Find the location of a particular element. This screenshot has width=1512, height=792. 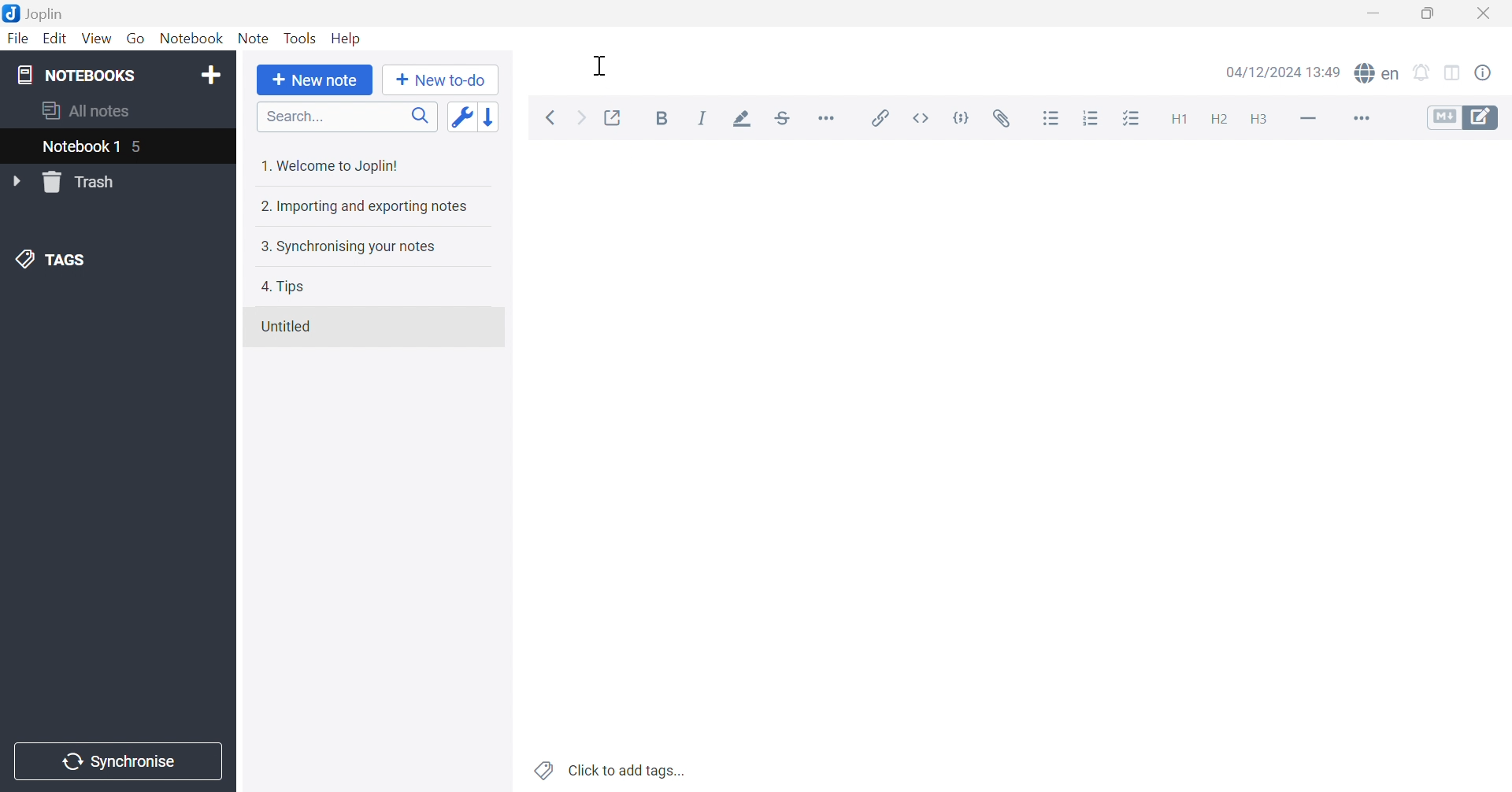

Highlight is located at coordinates (744, 119).